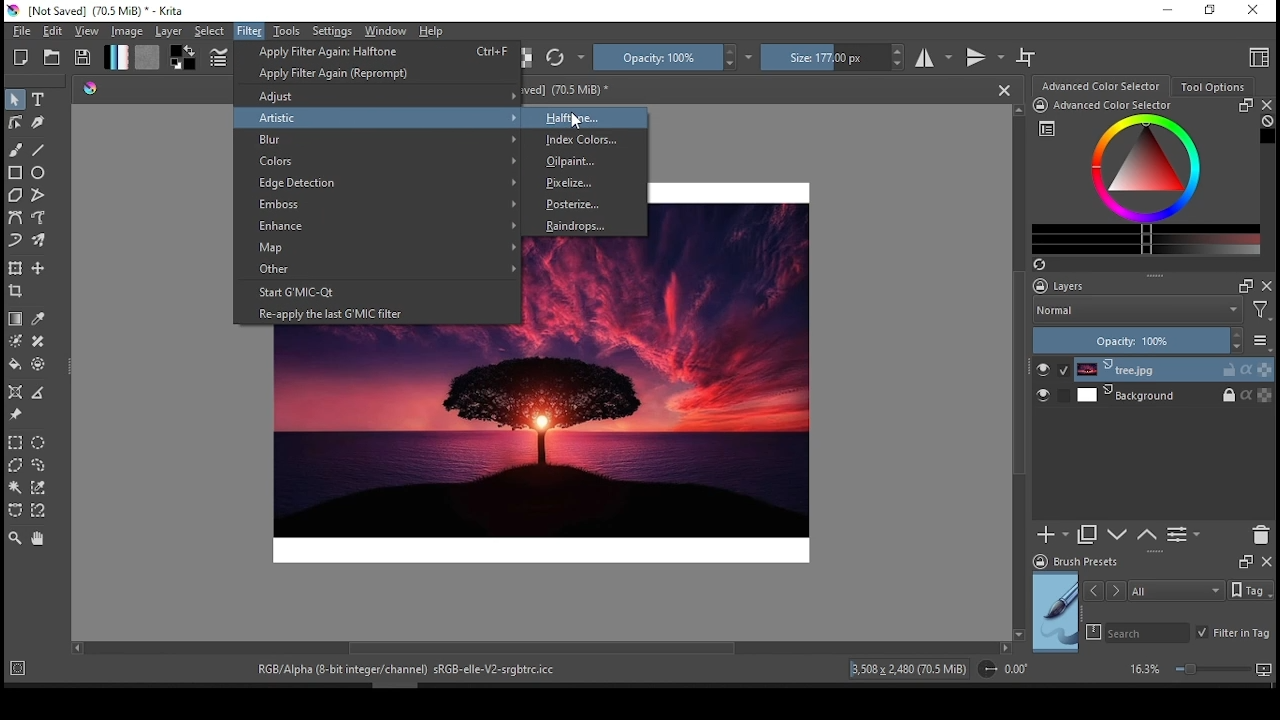 The width and height of the screenshot is (1280, 720). I want to click on measure the distance between two points, so click(38, 393).